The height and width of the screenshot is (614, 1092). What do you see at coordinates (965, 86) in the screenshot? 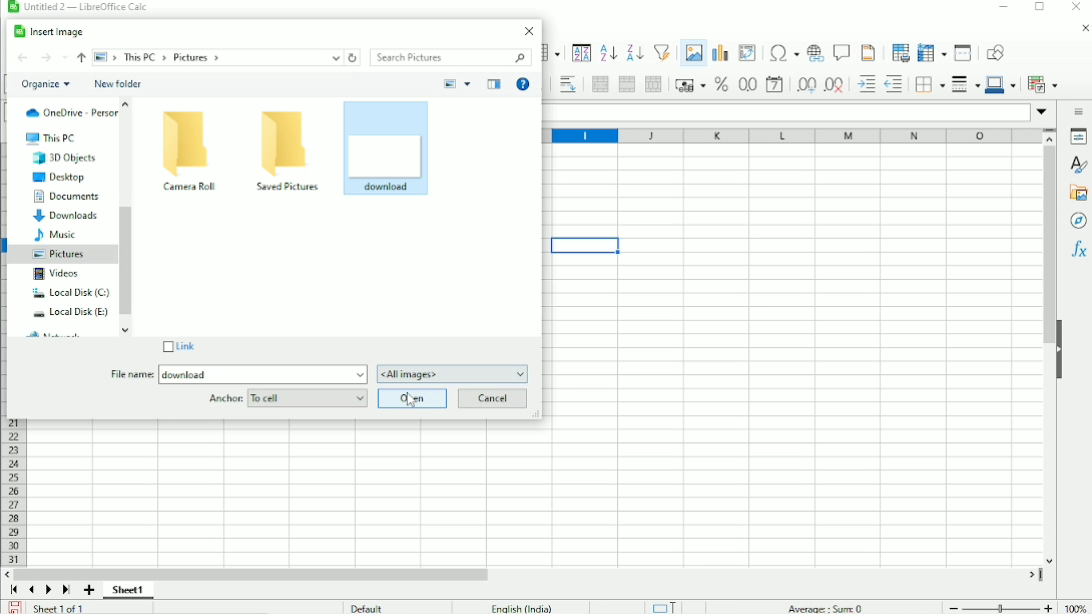
I see `Border styles` at bounding box center [965, 86].